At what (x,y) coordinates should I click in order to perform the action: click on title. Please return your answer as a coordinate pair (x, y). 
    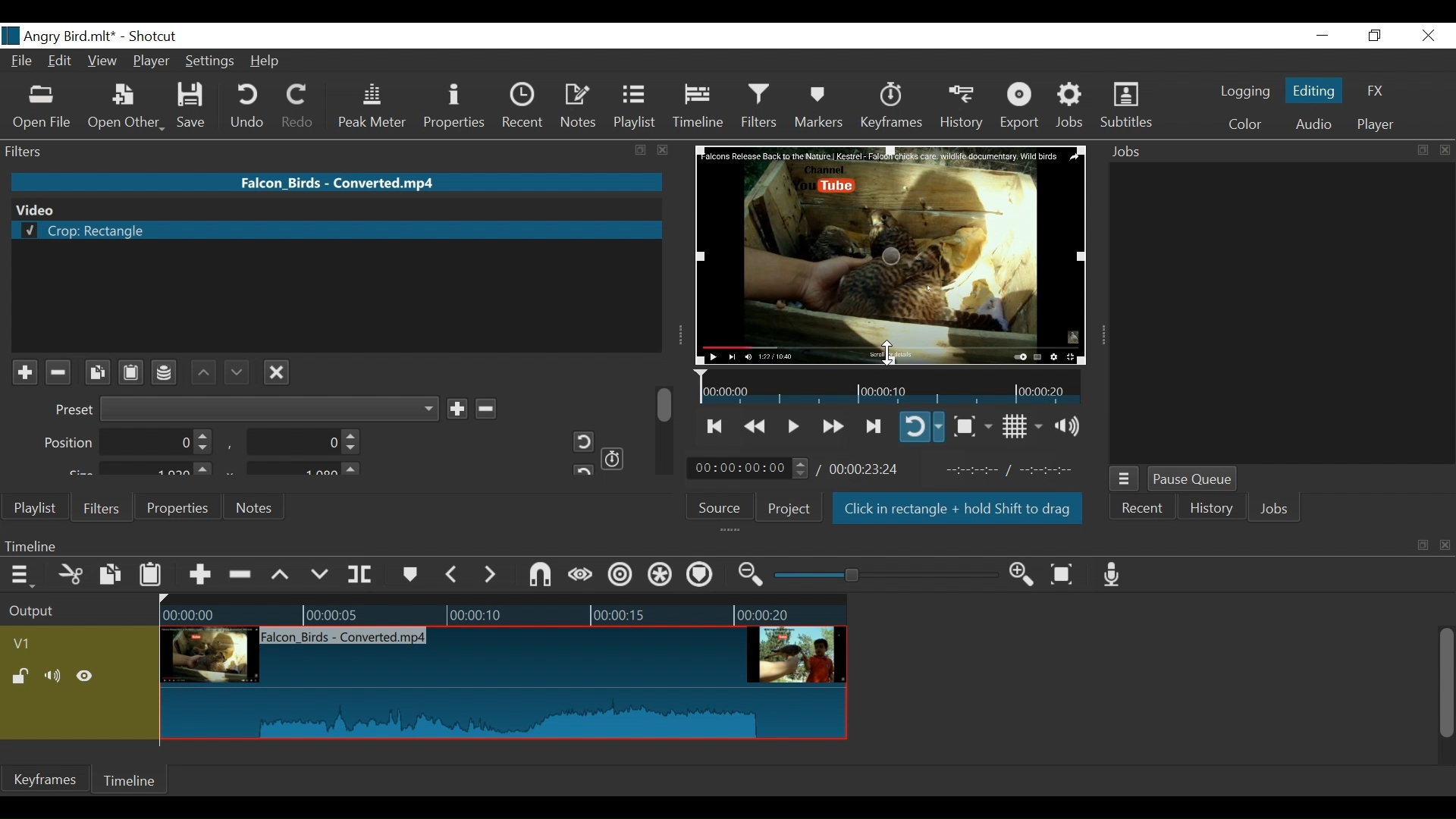
    Looking at the image, I should click on (112, 35).